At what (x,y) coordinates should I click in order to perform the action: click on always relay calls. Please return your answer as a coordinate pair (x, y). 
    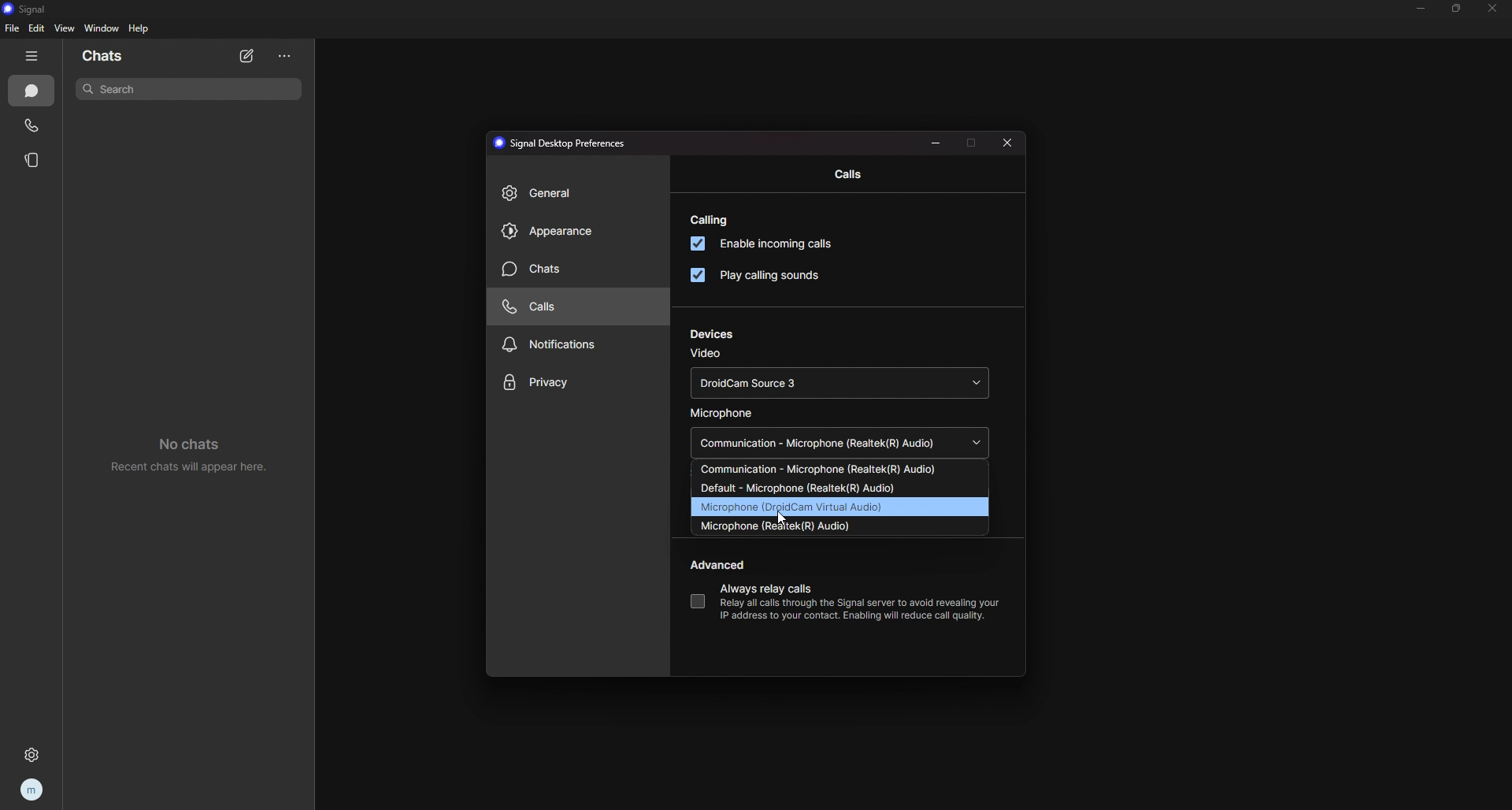
    Looking at the image, I should click on (773, 588).